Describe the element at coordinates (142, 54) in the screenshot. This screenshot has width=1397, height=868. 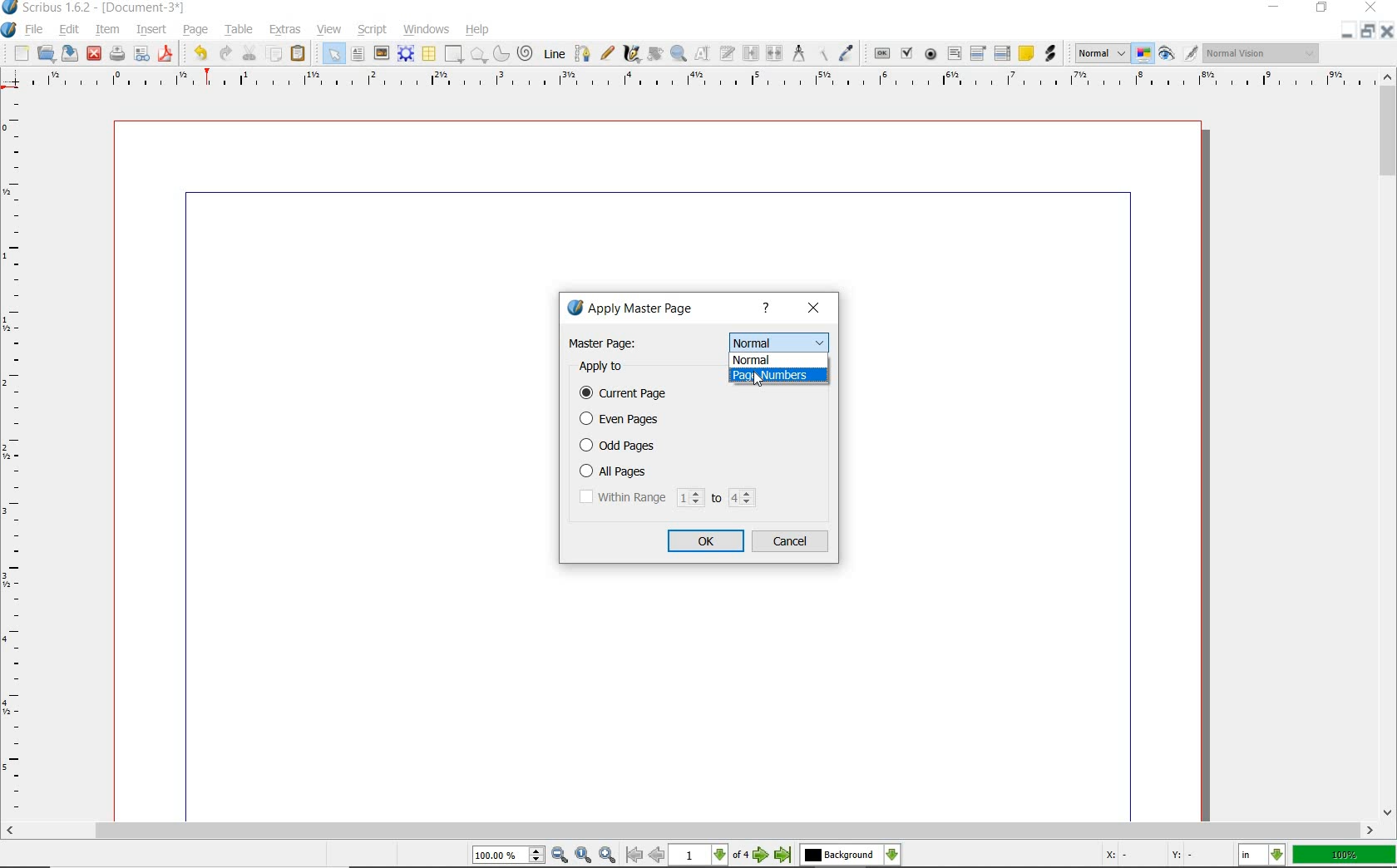
I see `preflight verifier` at that location.